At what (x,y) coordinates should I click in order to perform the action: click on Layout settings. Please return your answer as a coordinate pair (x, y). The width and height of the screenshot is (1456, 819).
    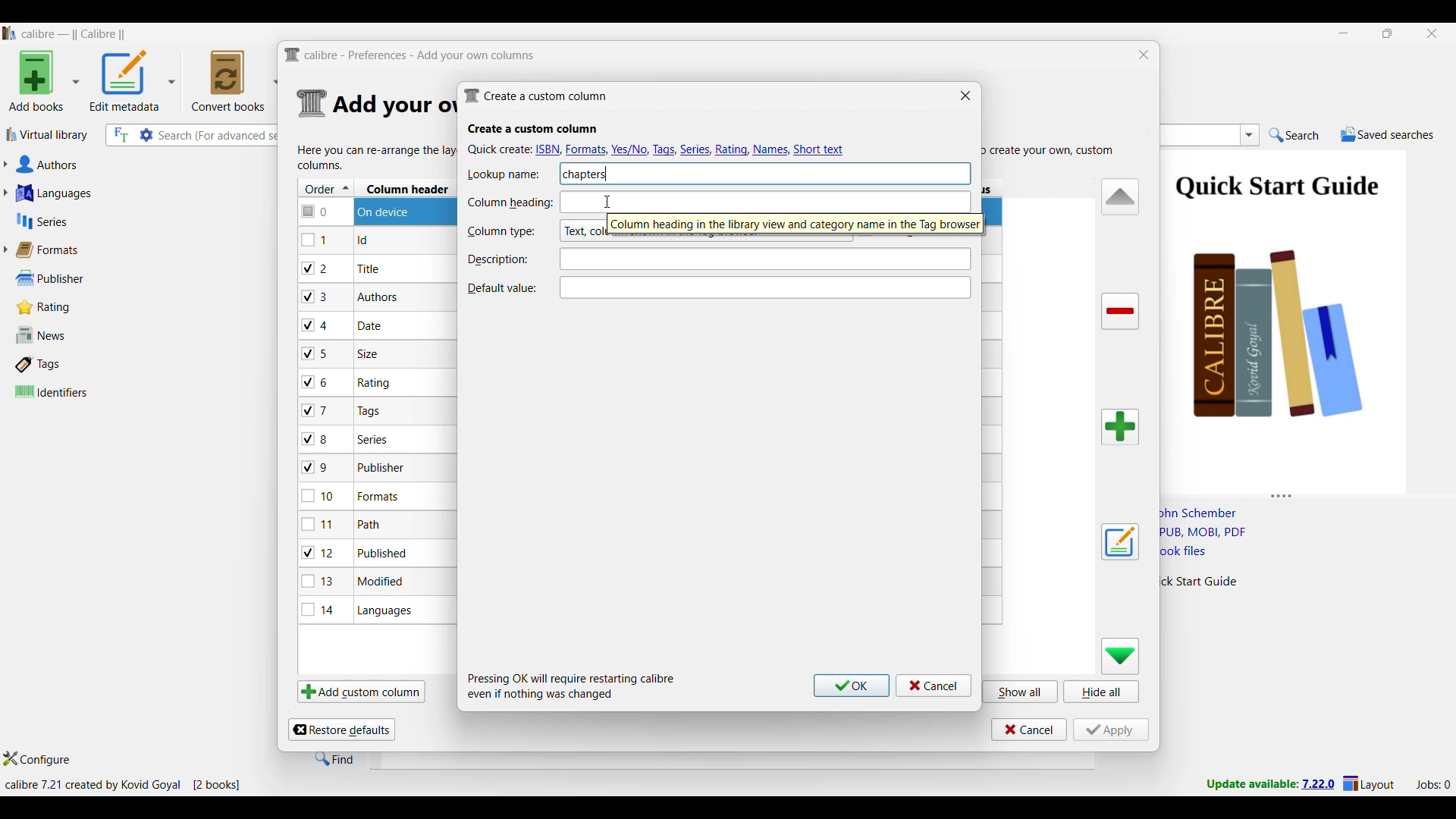
    Looking at the image, I should click on (1369, 783).